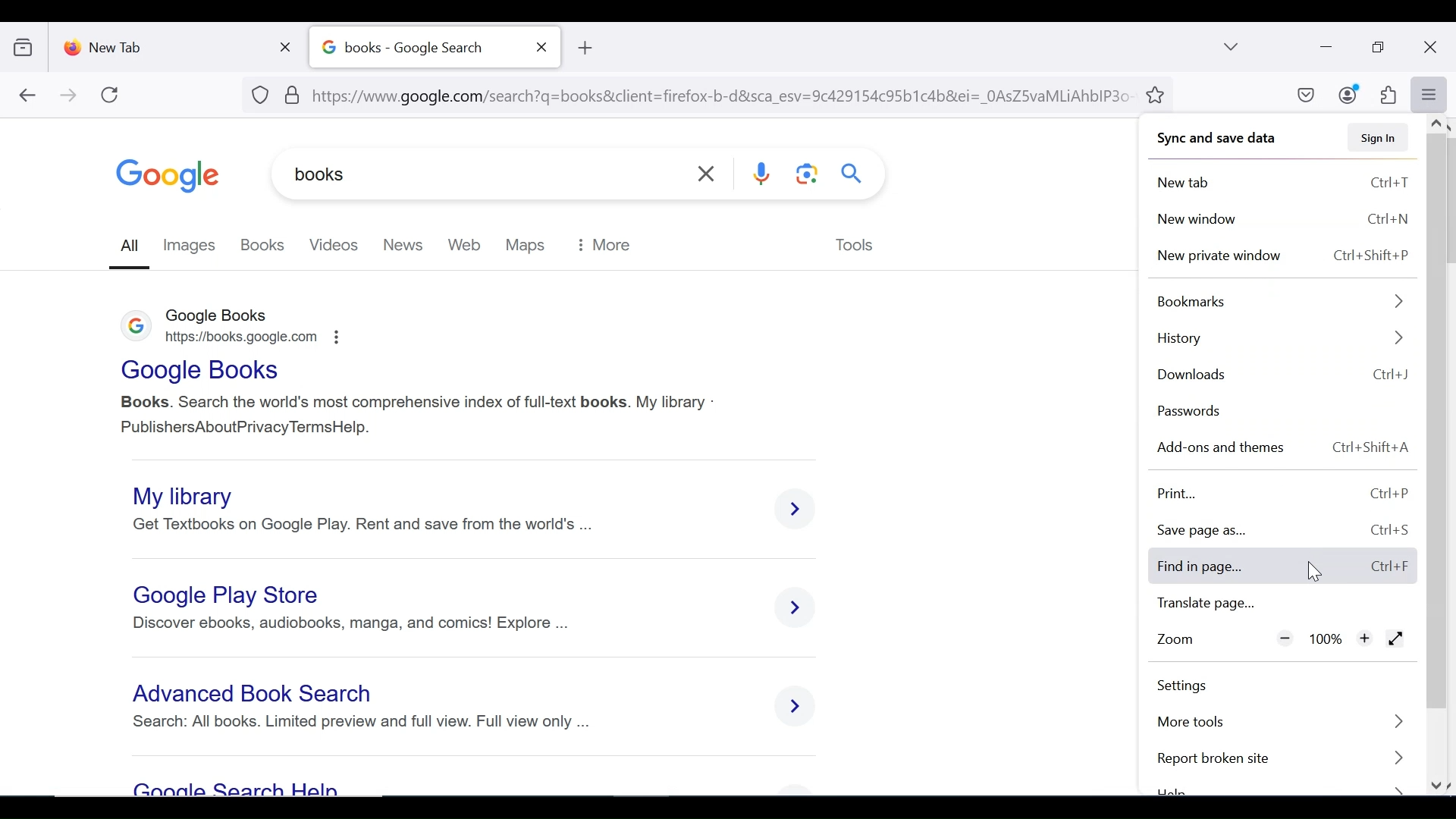 This screenshot has height=819, width=1456. What do you see at coordinates (332, 244) in the screenshot?
I see `videos` at bounding box center [332, 244].